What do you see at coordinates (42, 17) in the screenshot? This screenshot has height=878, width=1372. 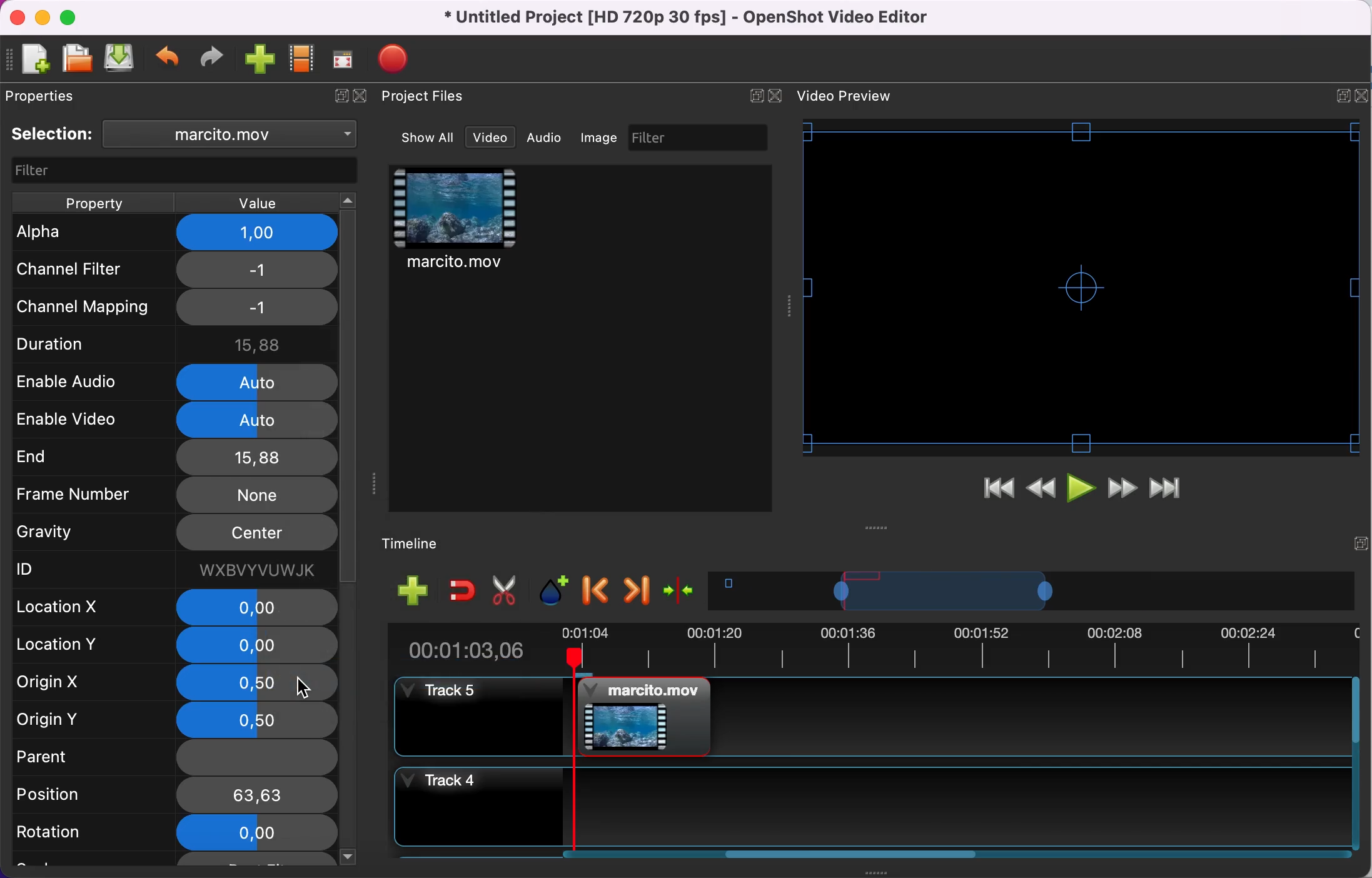 I see `minimize` at bounding box center [42, 17].